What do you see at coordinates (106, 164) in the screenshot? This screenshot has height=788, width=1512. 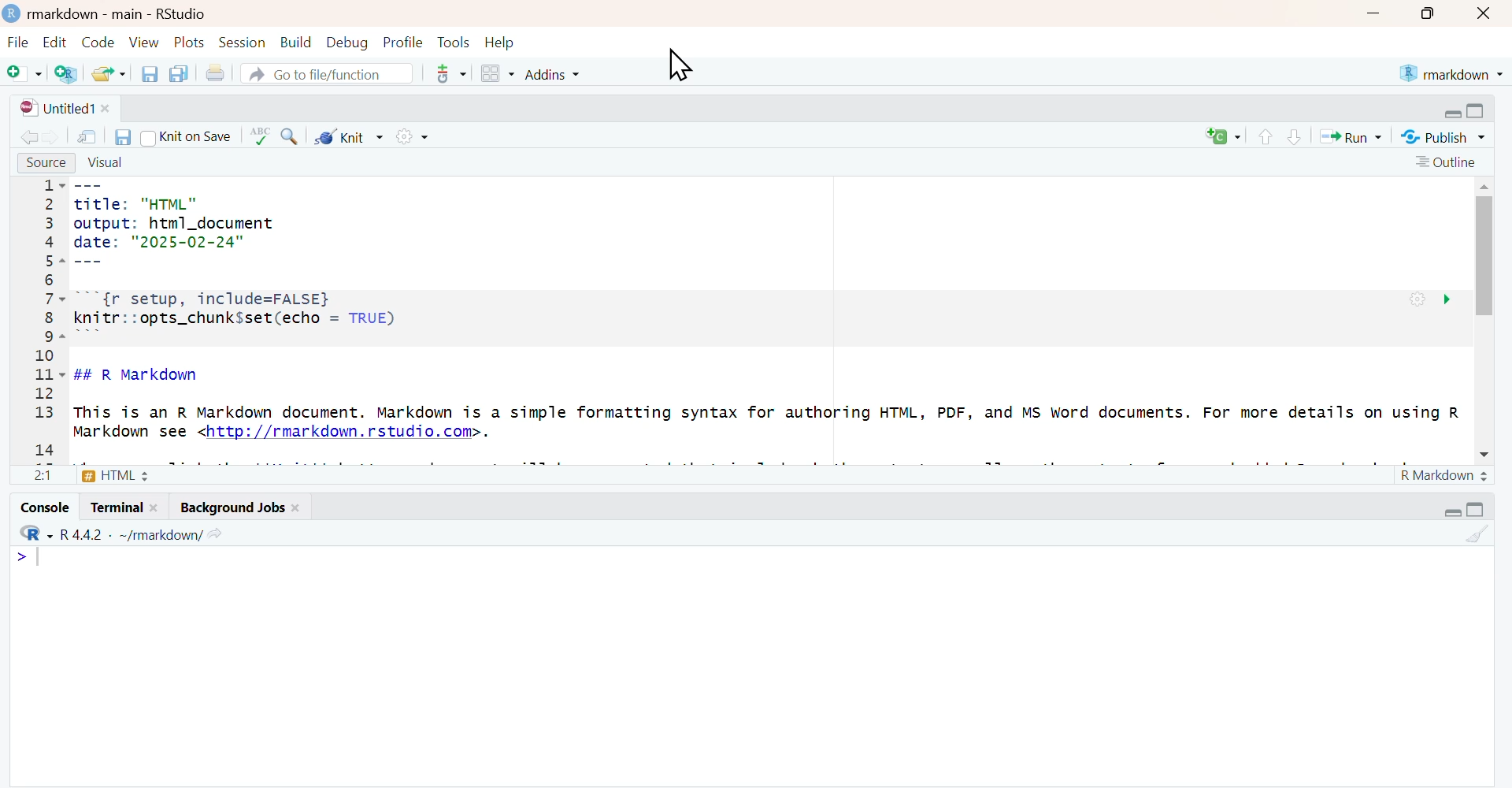 I see `Visual` at bounding box center [106, 164].